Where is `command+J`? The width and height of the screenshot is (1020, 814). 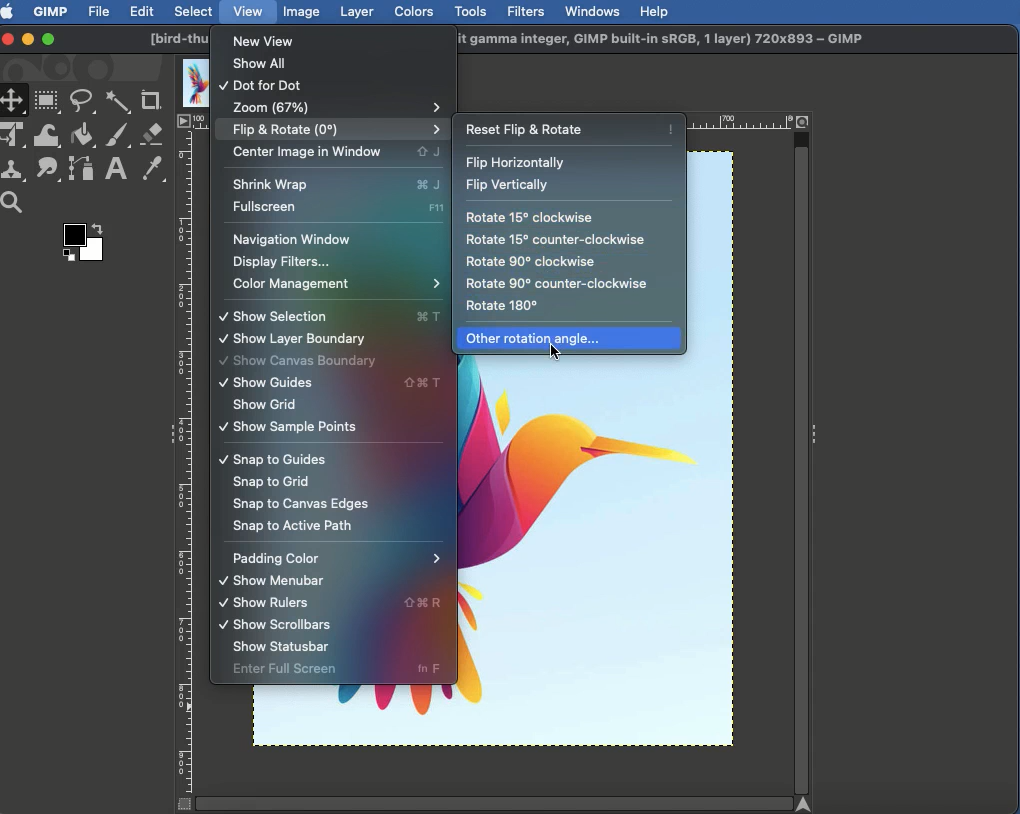
command+J is located at coordinates (434, 185).